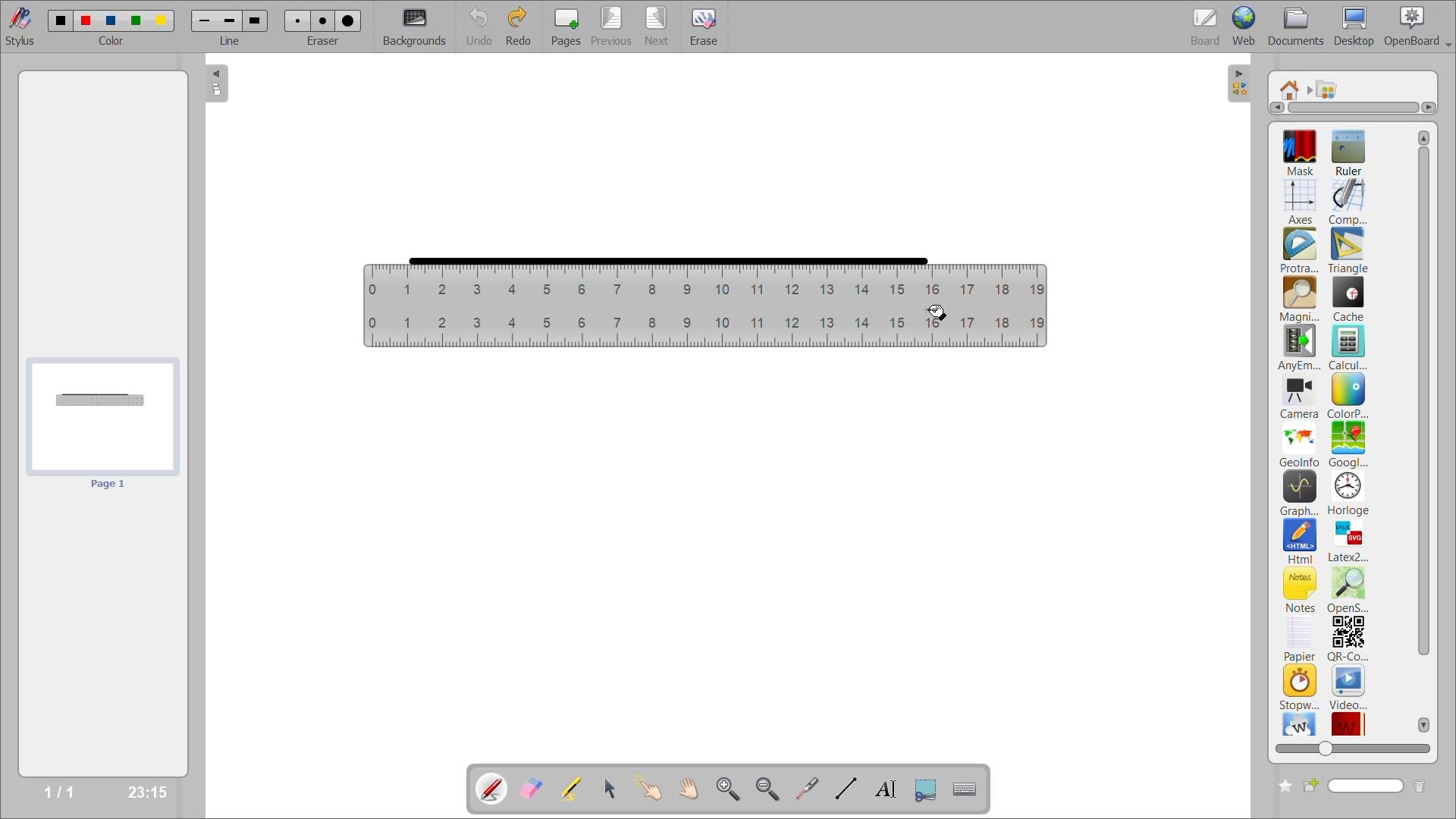 The image size is (1456, 819). I want to click on protractor, so click(1299, 252).